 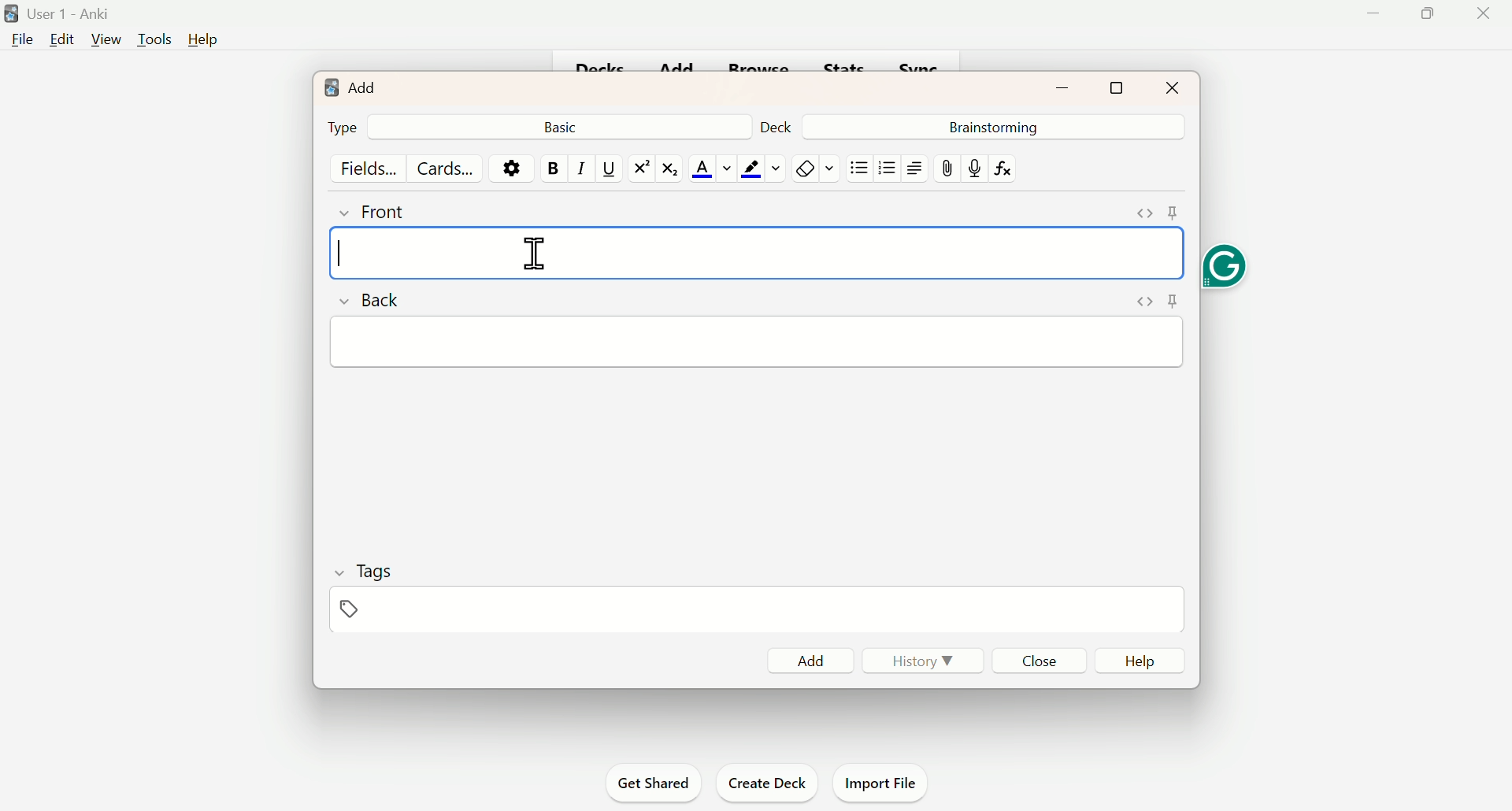 I want to click on , so click(x=151, y=36).